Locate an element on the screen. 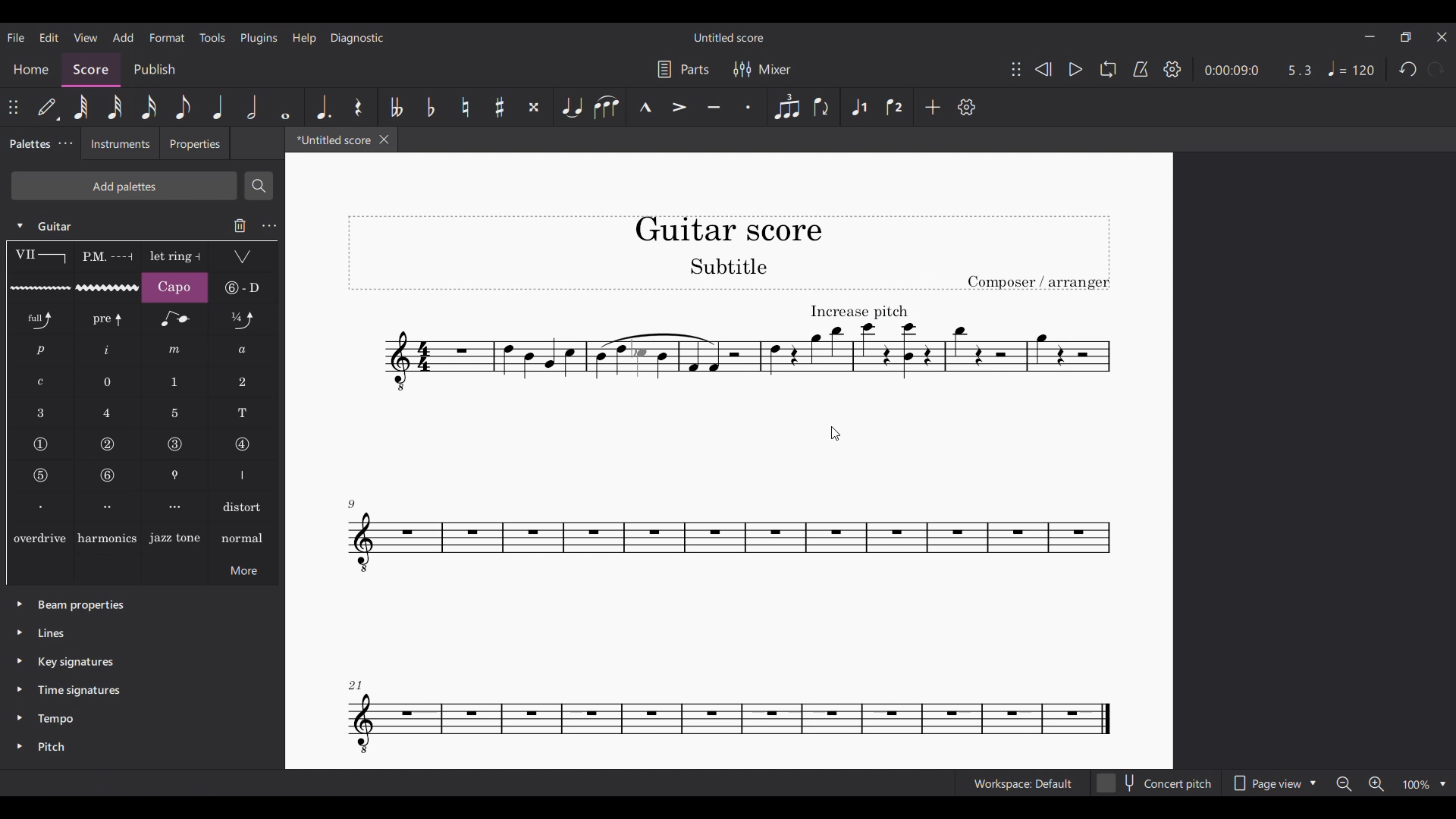 Image resolution: width=1456 pixels, height=819 pixels. Click to expand tempo palette is located at coordinates (19, 717).